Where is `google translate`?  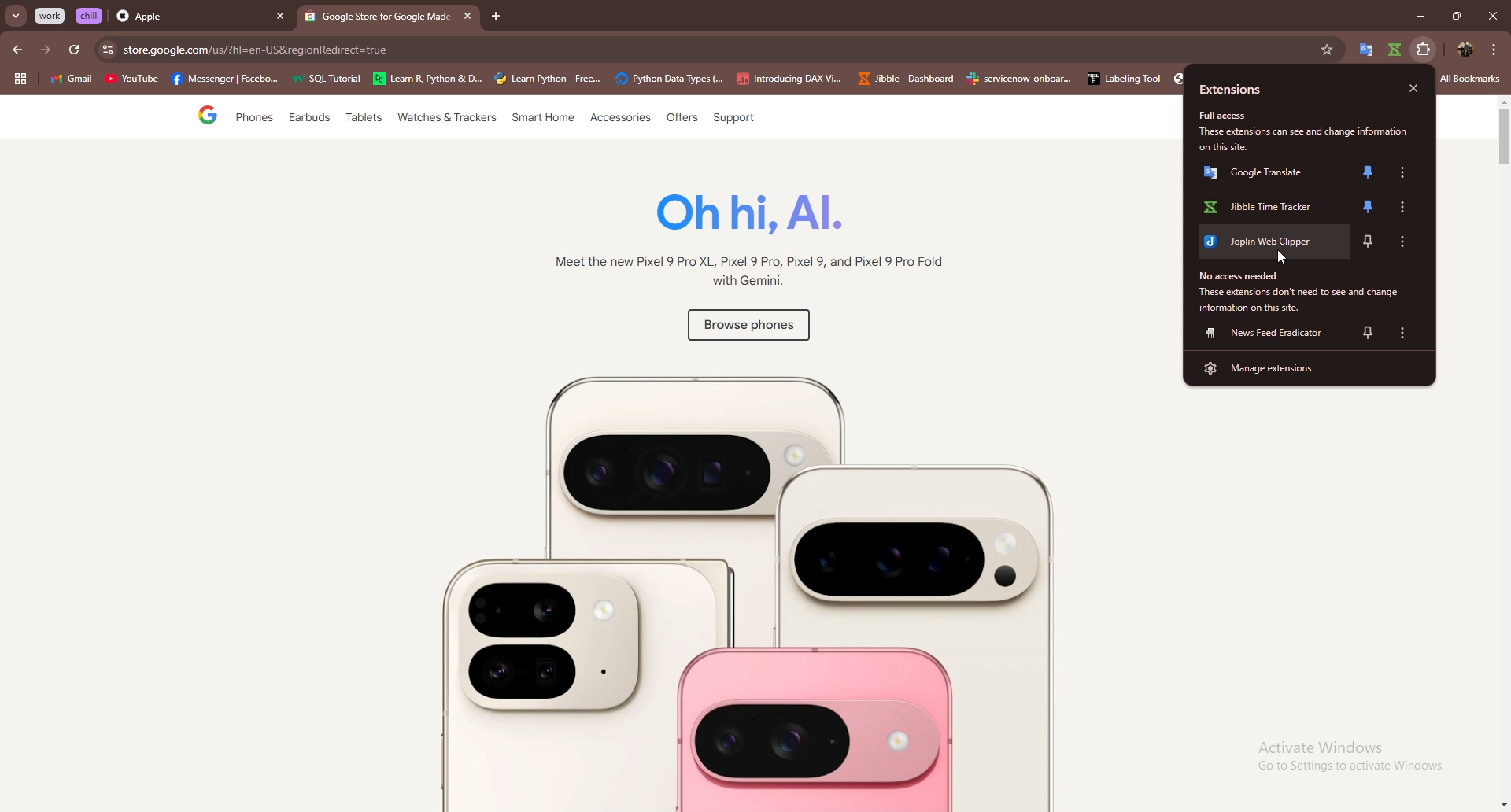 google translate is located at coordinates (1365, 50).